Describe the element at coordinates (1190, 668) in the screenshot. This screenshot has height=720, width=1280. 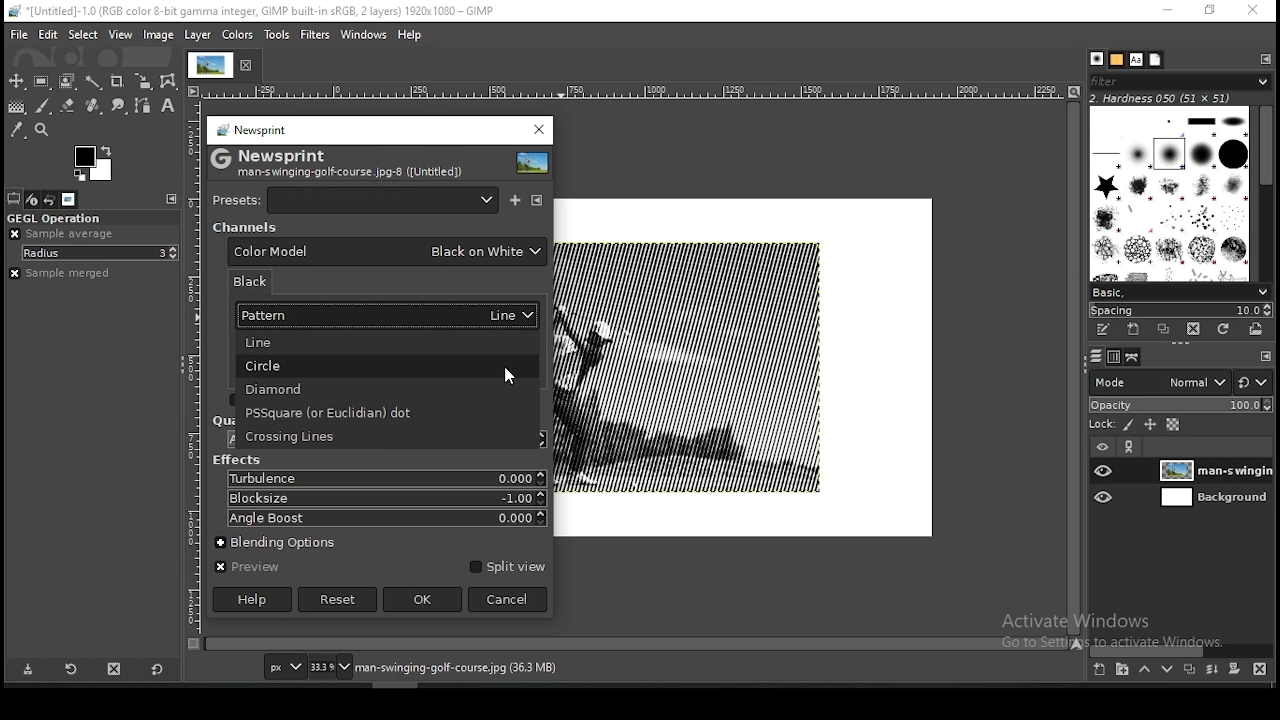
I see `duplicate layer` at that location.